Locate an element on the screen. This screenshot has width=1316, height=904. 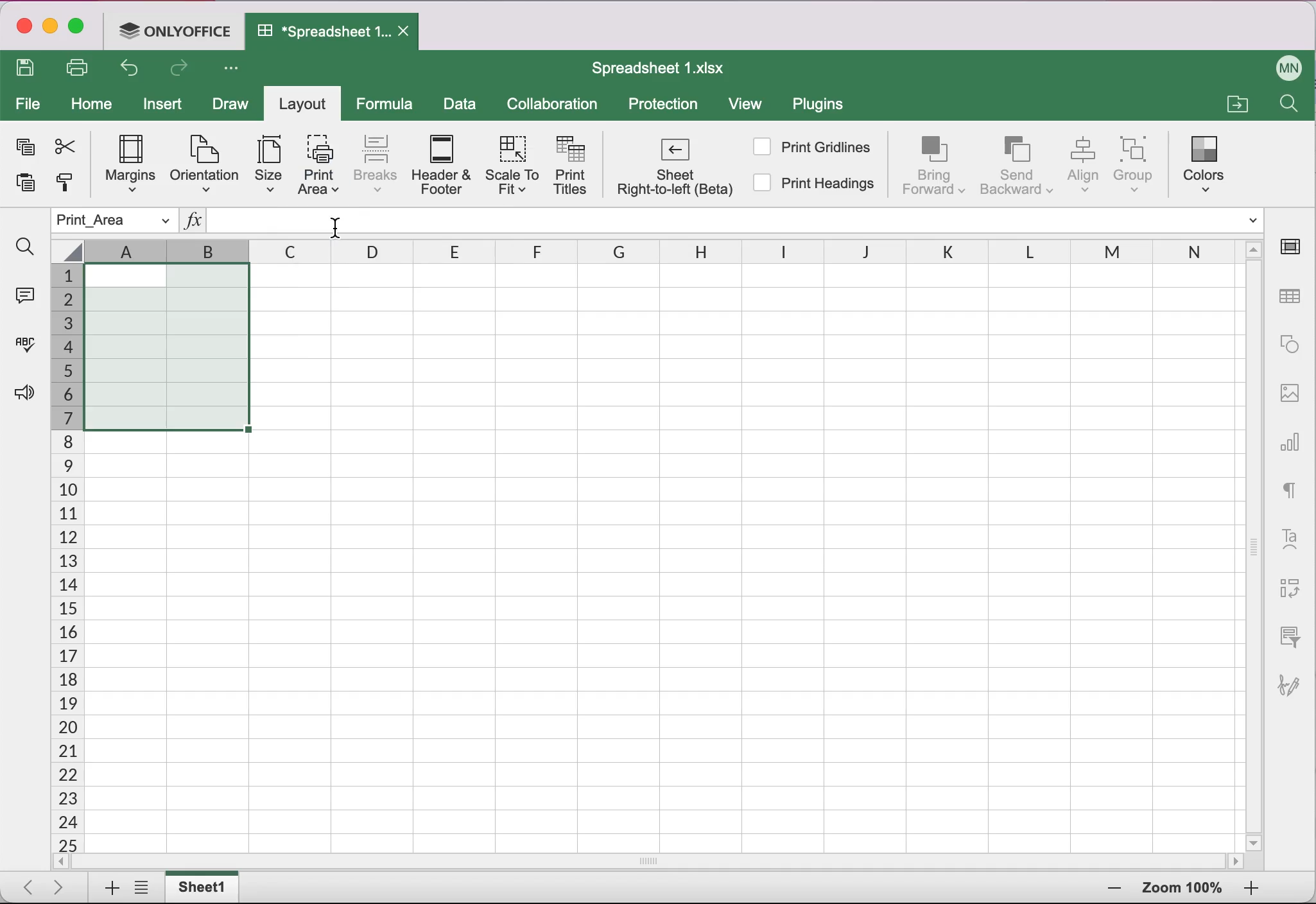
formula is located at coordinates (388, 104).